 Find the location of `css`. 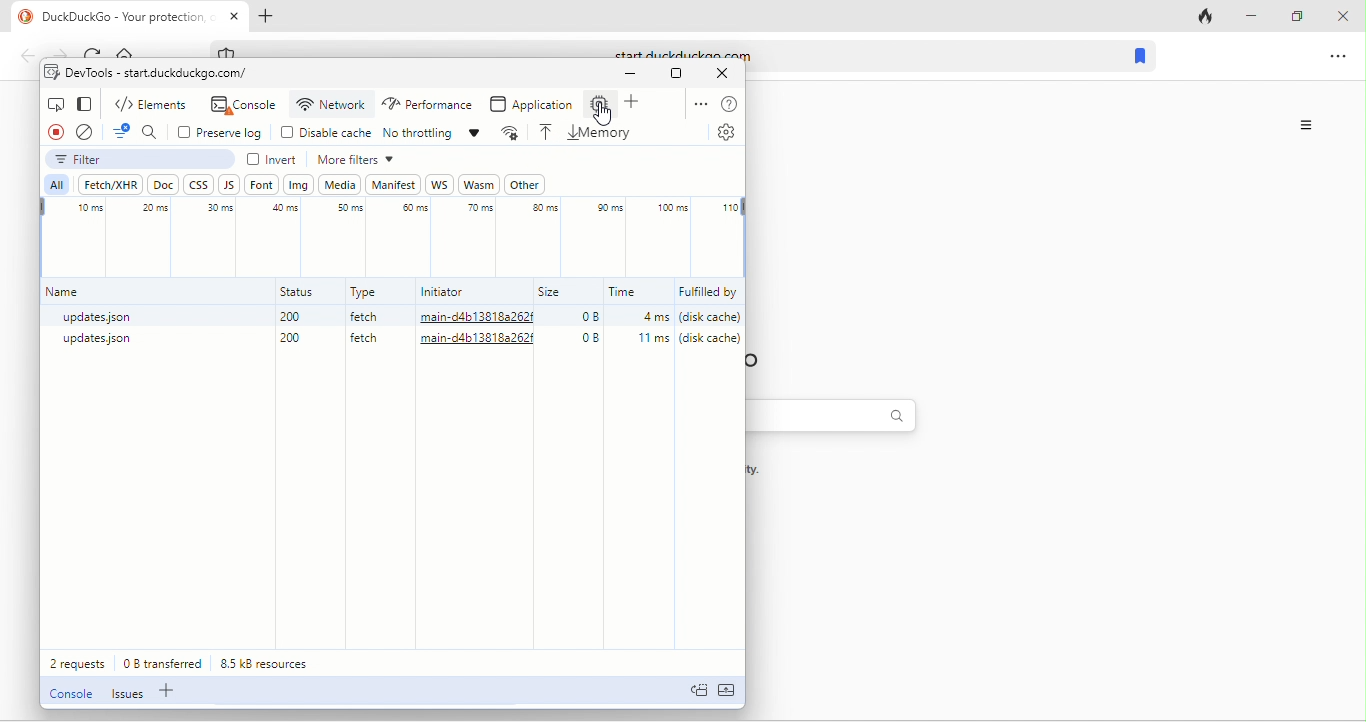

css is located at coordinates (202, 183).